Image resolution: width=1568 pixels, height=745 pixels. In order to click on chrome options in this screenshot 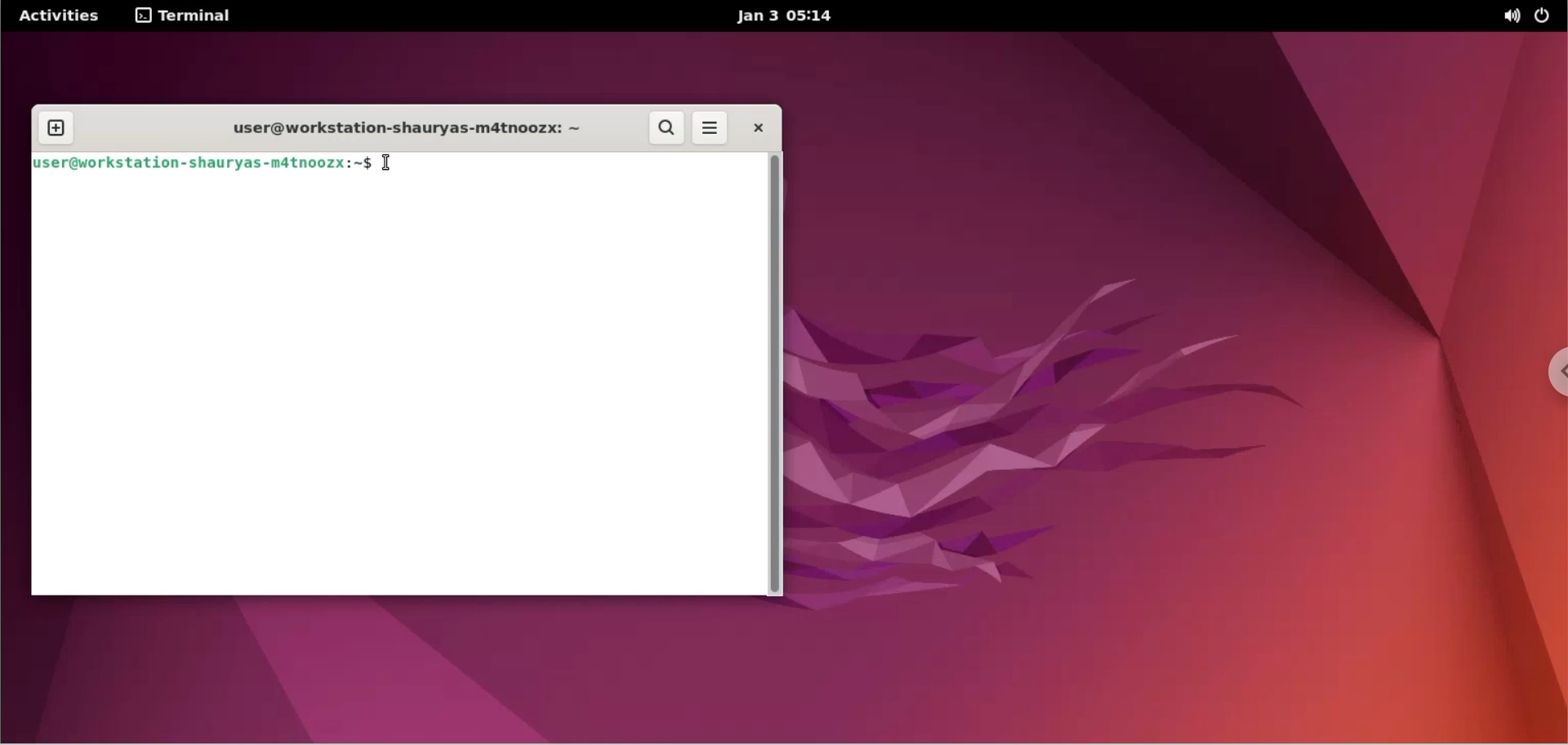, I will do `click(1544, 372)`.